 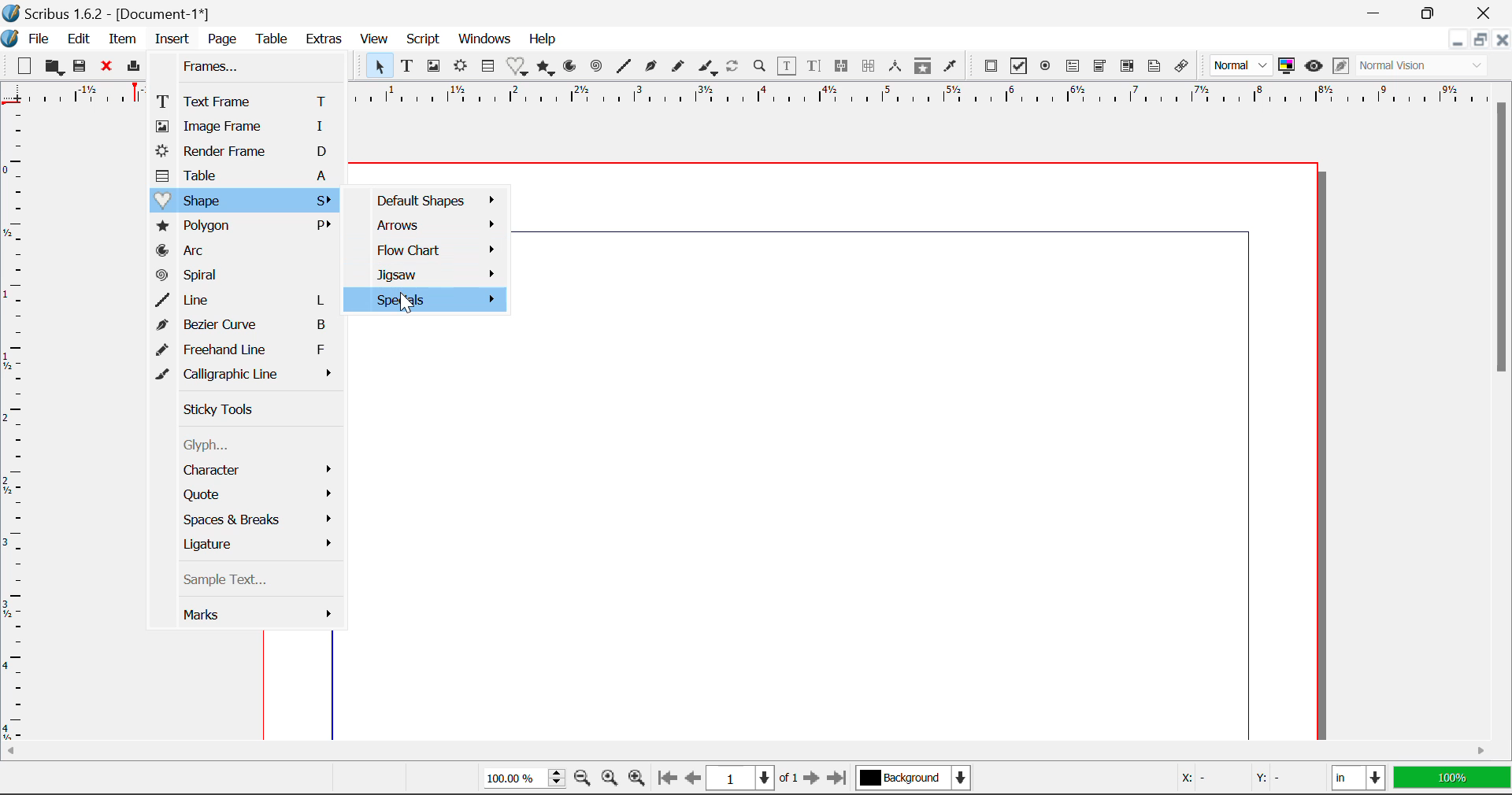 I want to click on Text Frame, so click(x=245, y=101).